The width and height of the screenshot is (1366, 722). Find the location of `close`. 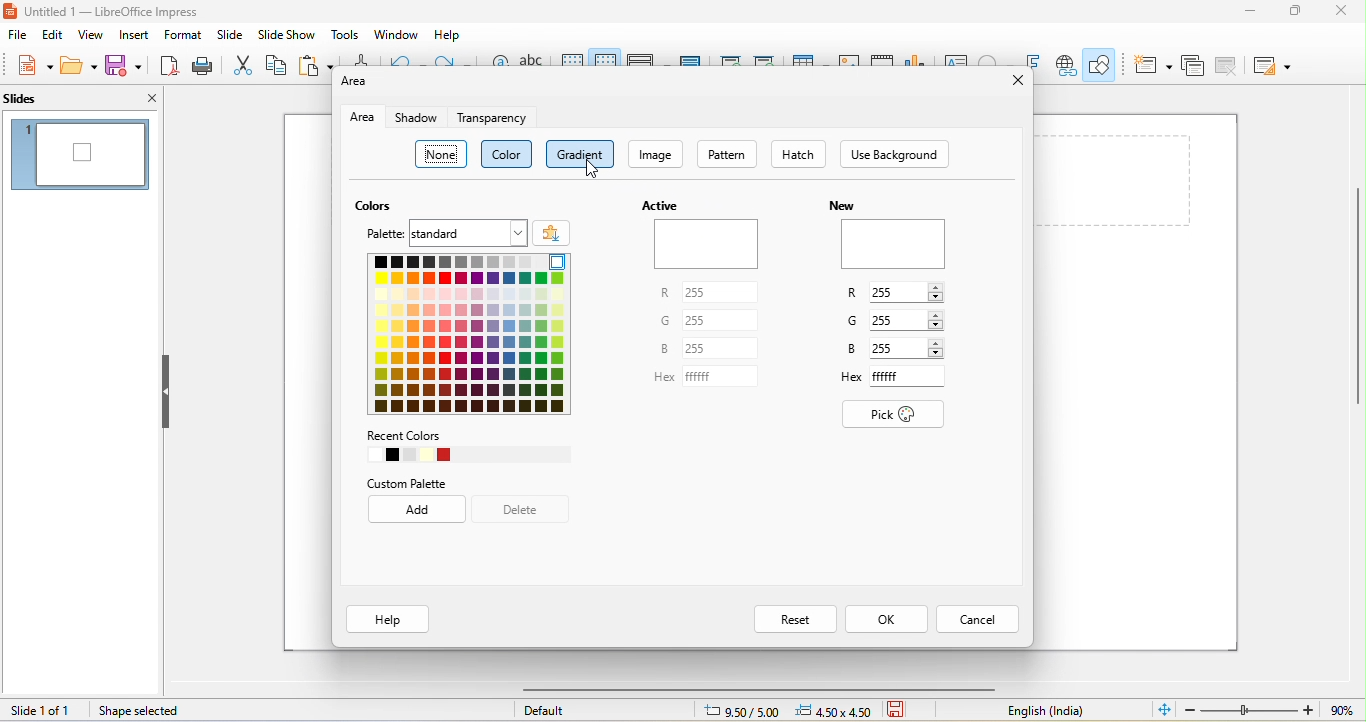

close is located at coordinates (1345, 12).